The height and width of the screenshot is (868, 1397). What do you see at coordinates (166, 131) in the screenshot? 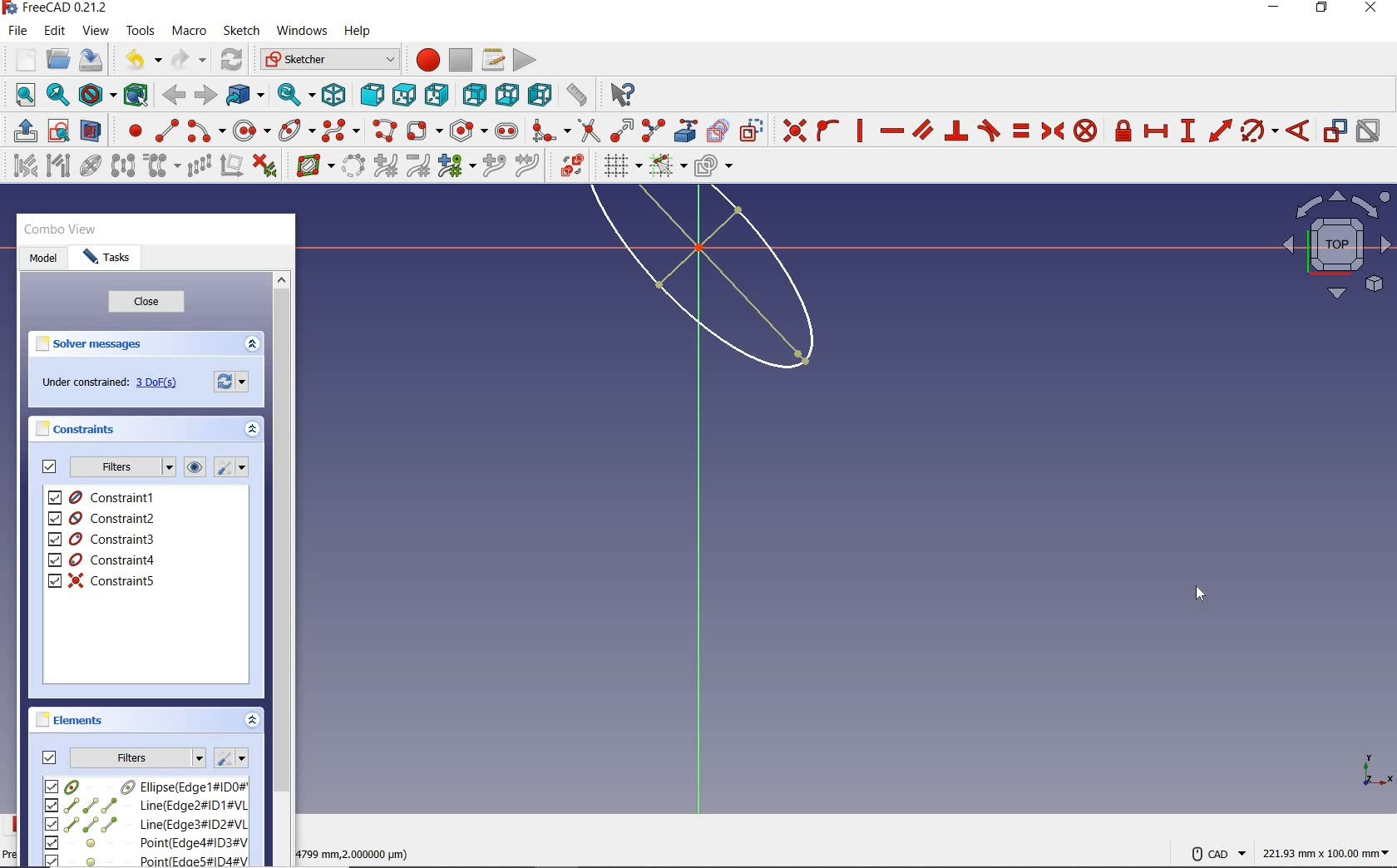
I see `create line` at bounding box center [166, 131].